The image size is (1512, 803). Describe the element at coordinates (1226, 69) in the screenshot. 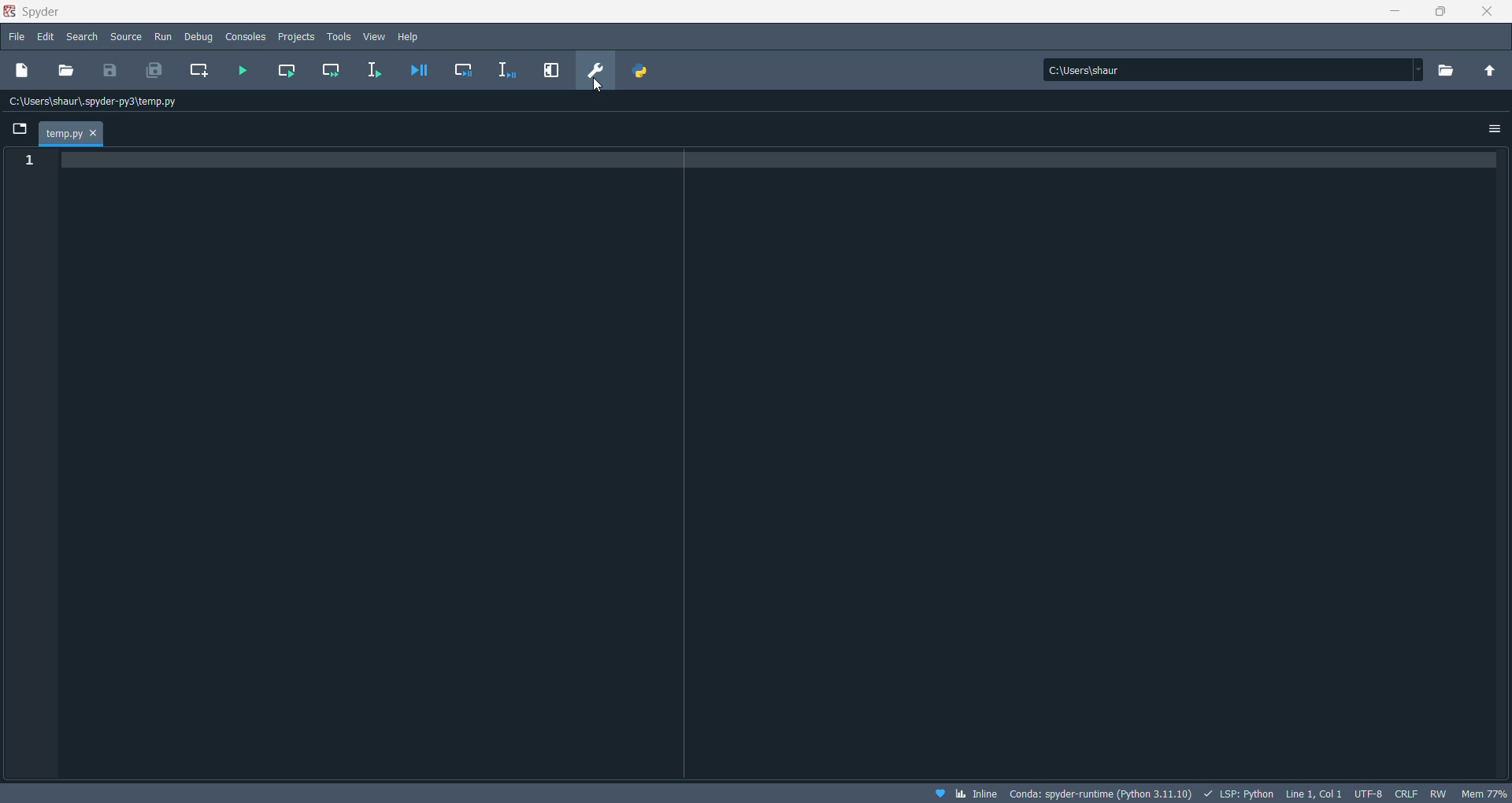

I see `path` at that location.